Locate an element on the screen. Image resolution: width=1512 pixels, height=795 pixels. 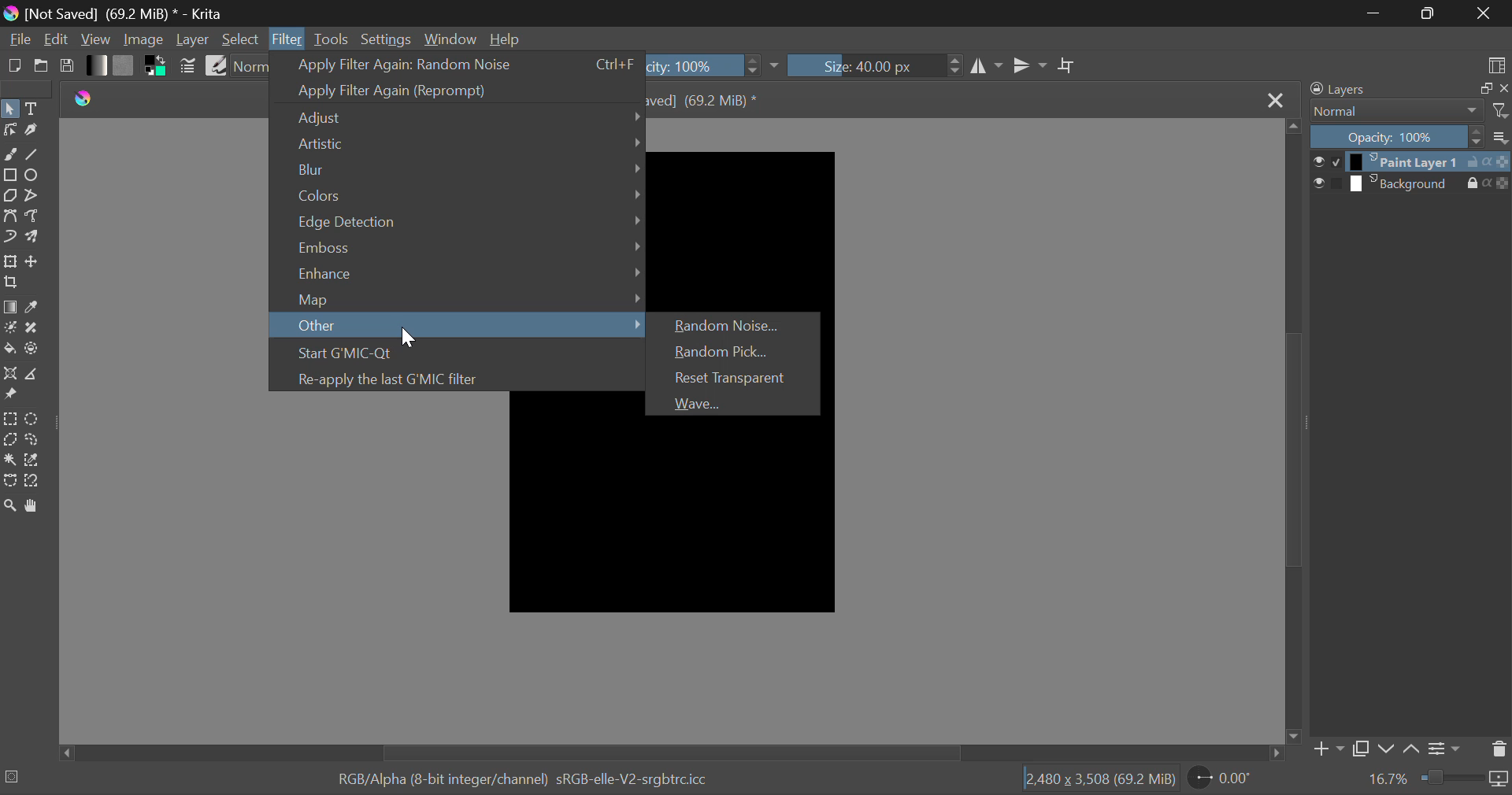
Fill is located at coordinates (9, 348).